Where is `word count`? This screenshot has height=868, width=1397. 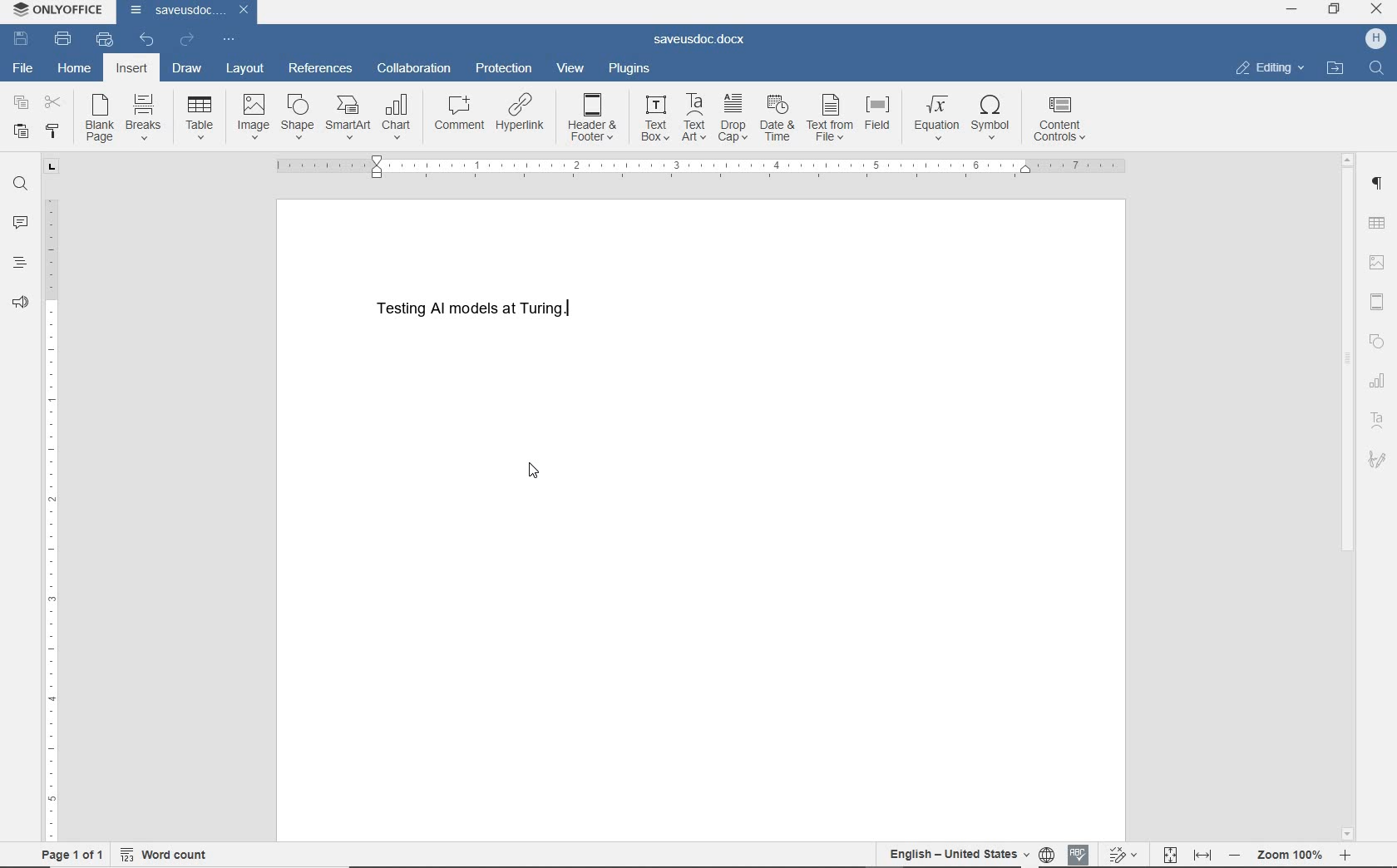
word count is located at coordinates (164, 856).